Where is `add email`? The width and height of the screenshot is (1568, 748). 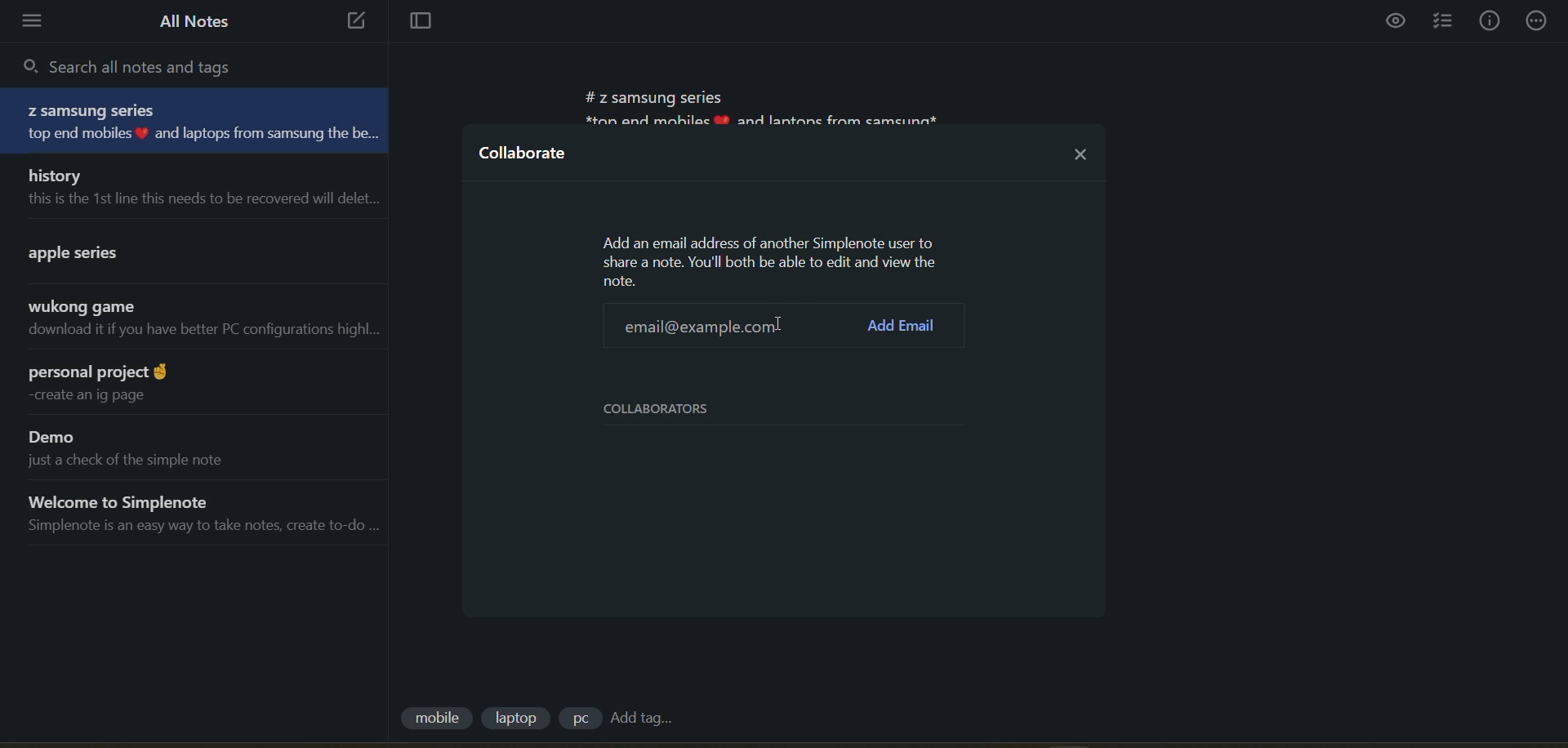 add email is located at coordinates (906, 325).